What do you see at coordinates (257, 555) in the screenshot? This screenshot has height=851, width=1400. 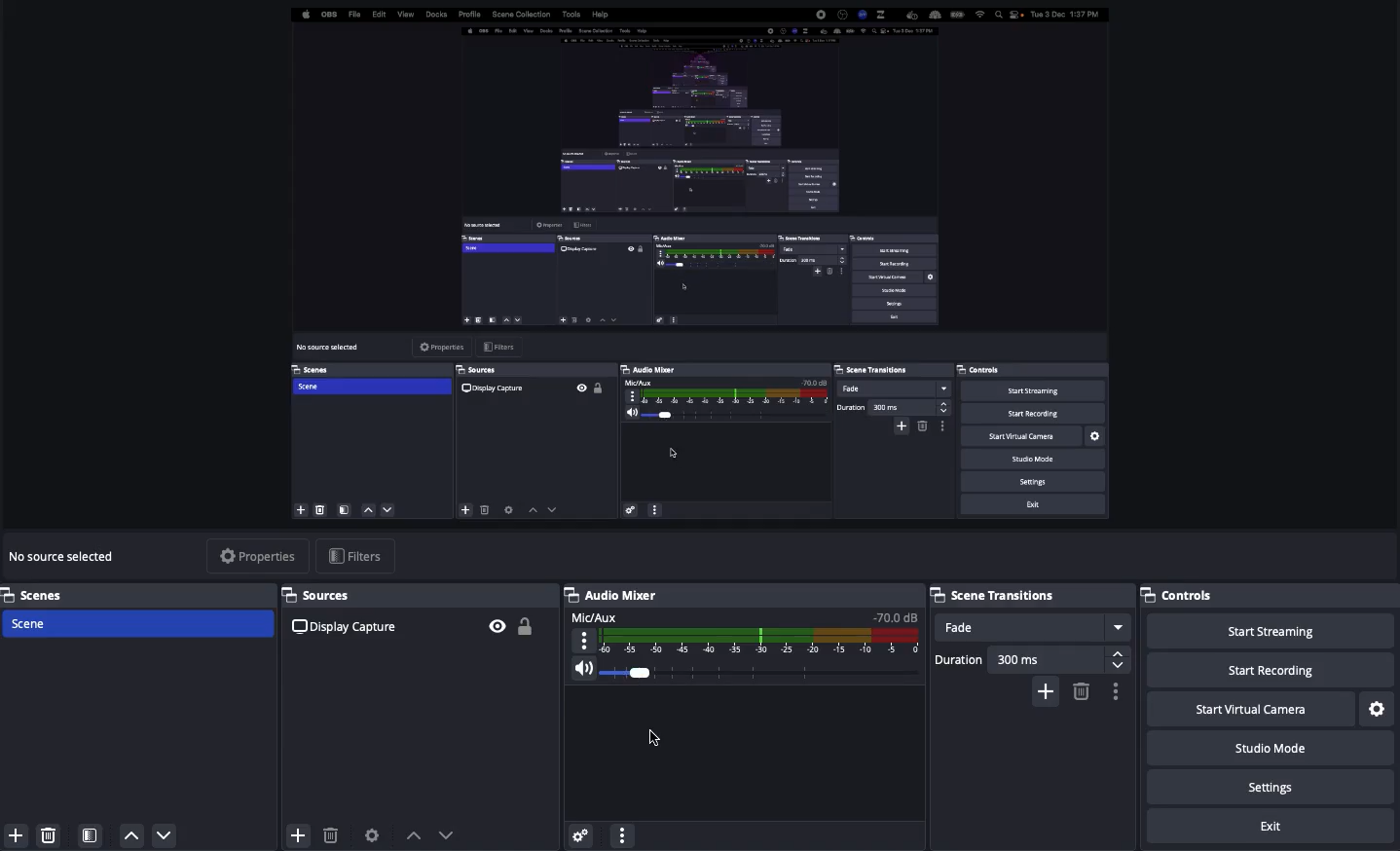 I see `Properties` at bounding box center [257, 555].